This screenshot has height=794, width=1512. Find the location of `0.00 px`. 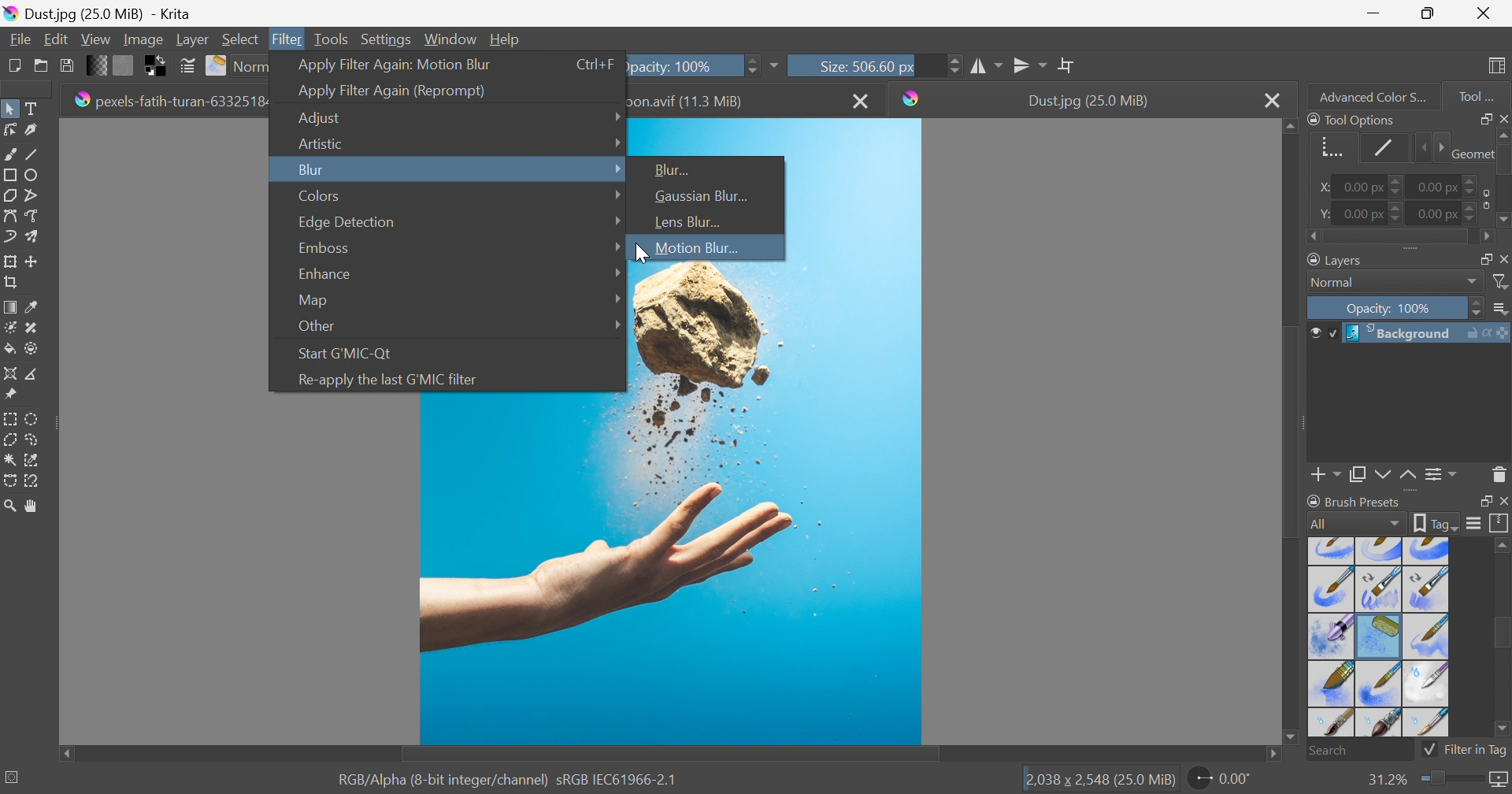

0.00 px is located at coordinates (1436, 214).